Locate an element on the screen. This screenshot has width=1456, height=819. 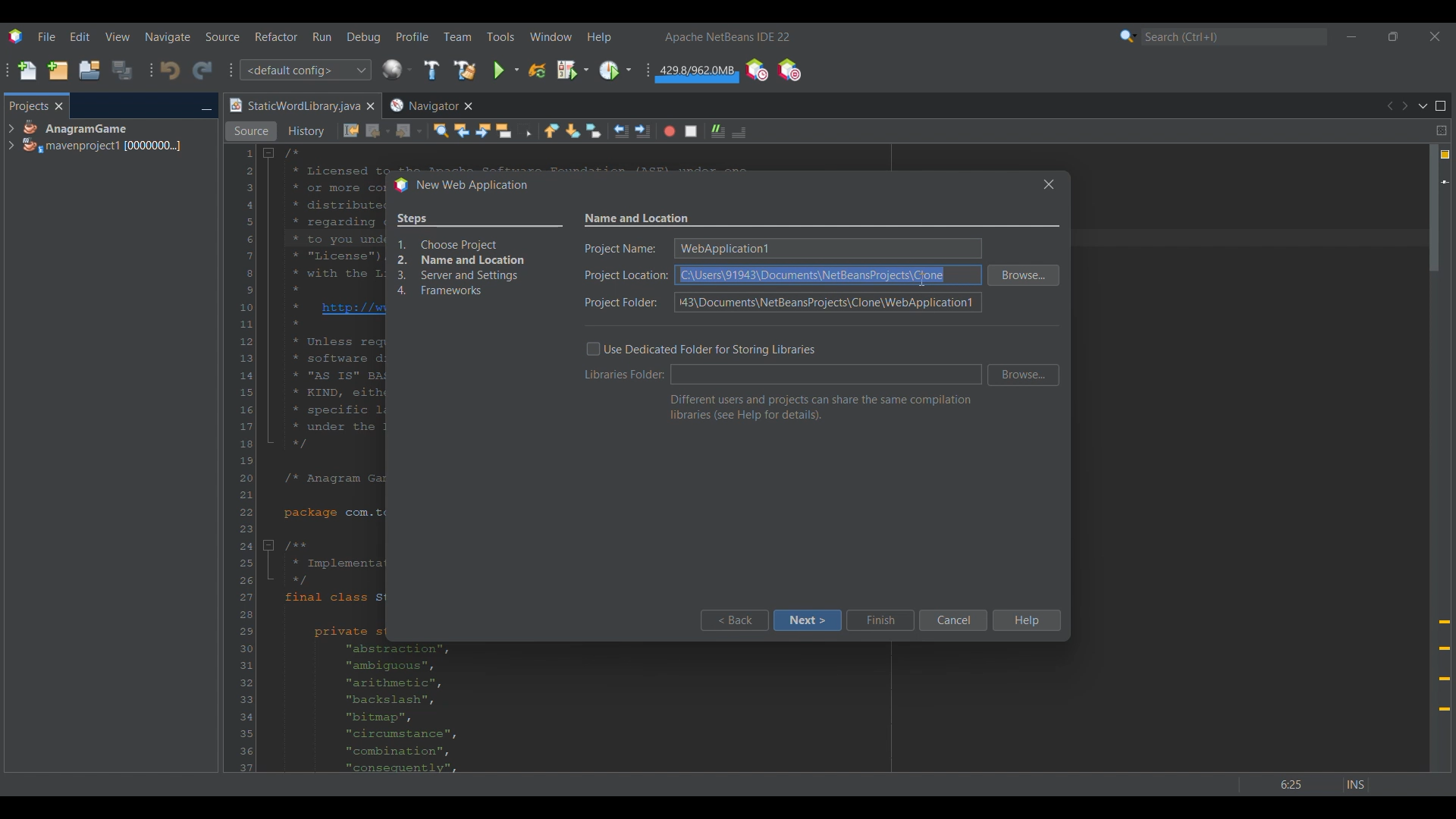
Stop macro recording is located at coordinates (691, 131).